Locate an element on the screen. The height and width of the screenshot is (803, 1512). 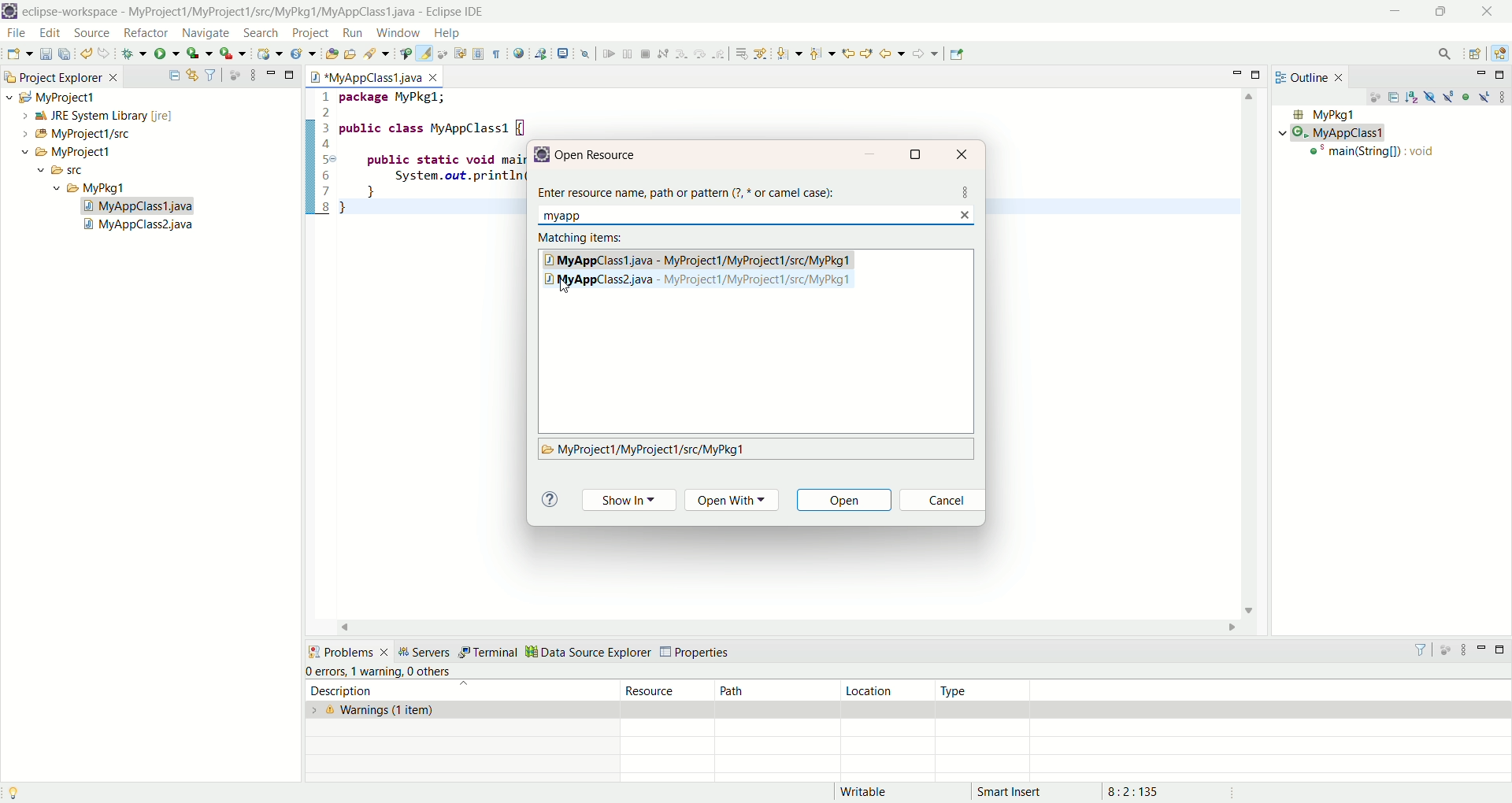
step over is located at coordinates (701, 55).